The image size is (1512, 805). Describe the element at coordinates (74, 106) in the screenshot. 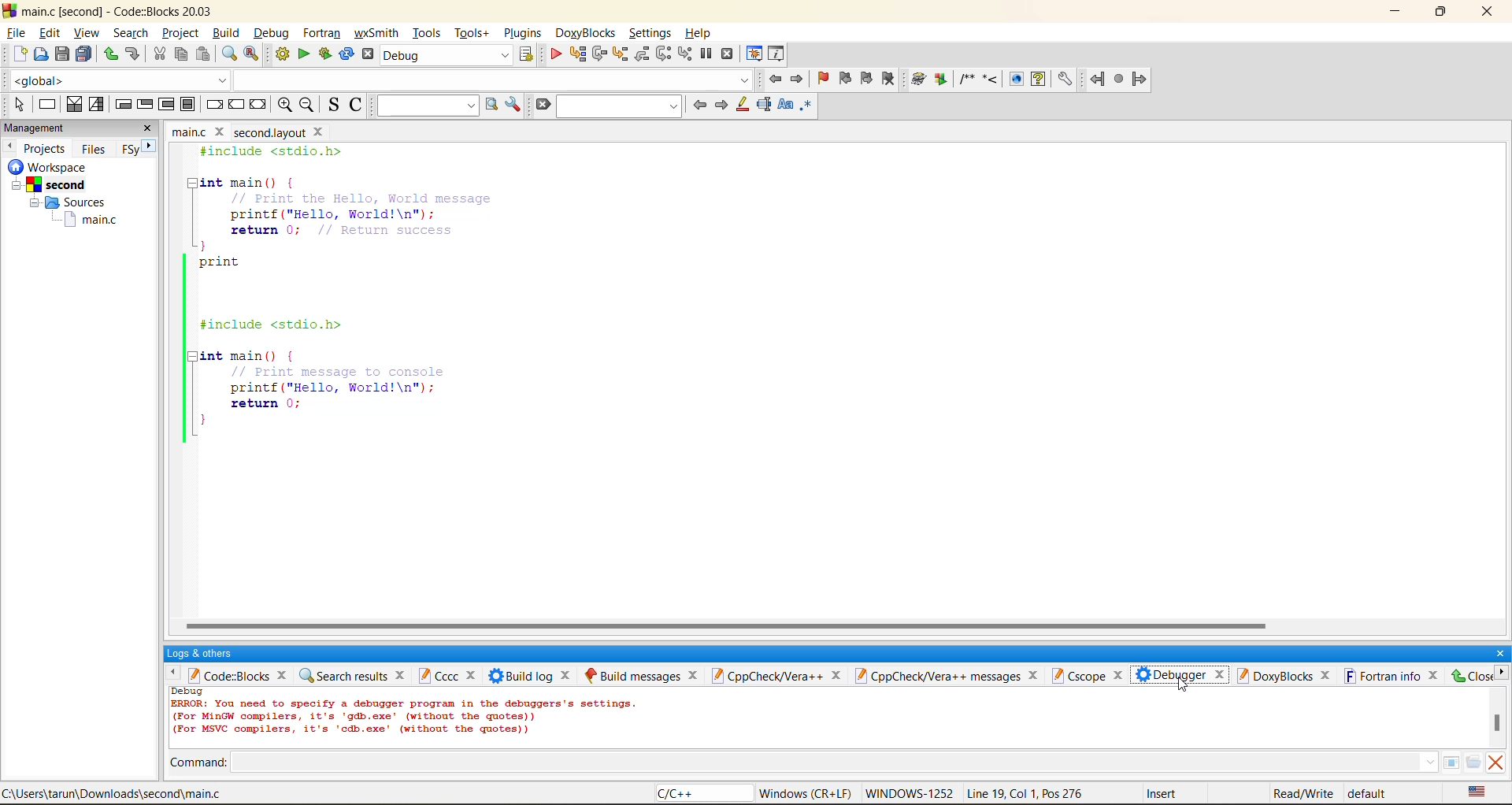

I see `decision` at that location.